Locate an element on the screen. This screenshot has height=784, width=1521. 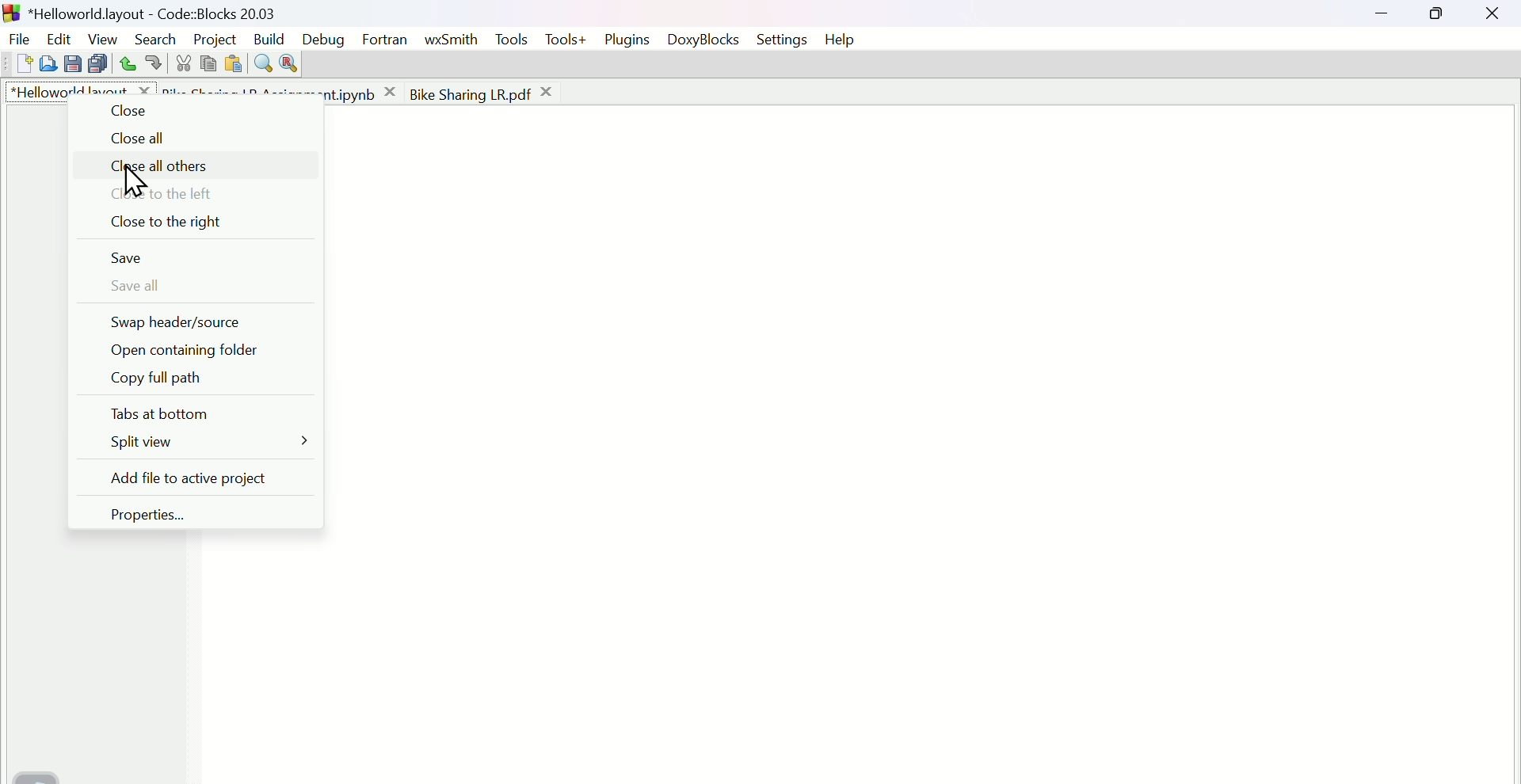
Open containing folder is located at coordinates (190, 352).